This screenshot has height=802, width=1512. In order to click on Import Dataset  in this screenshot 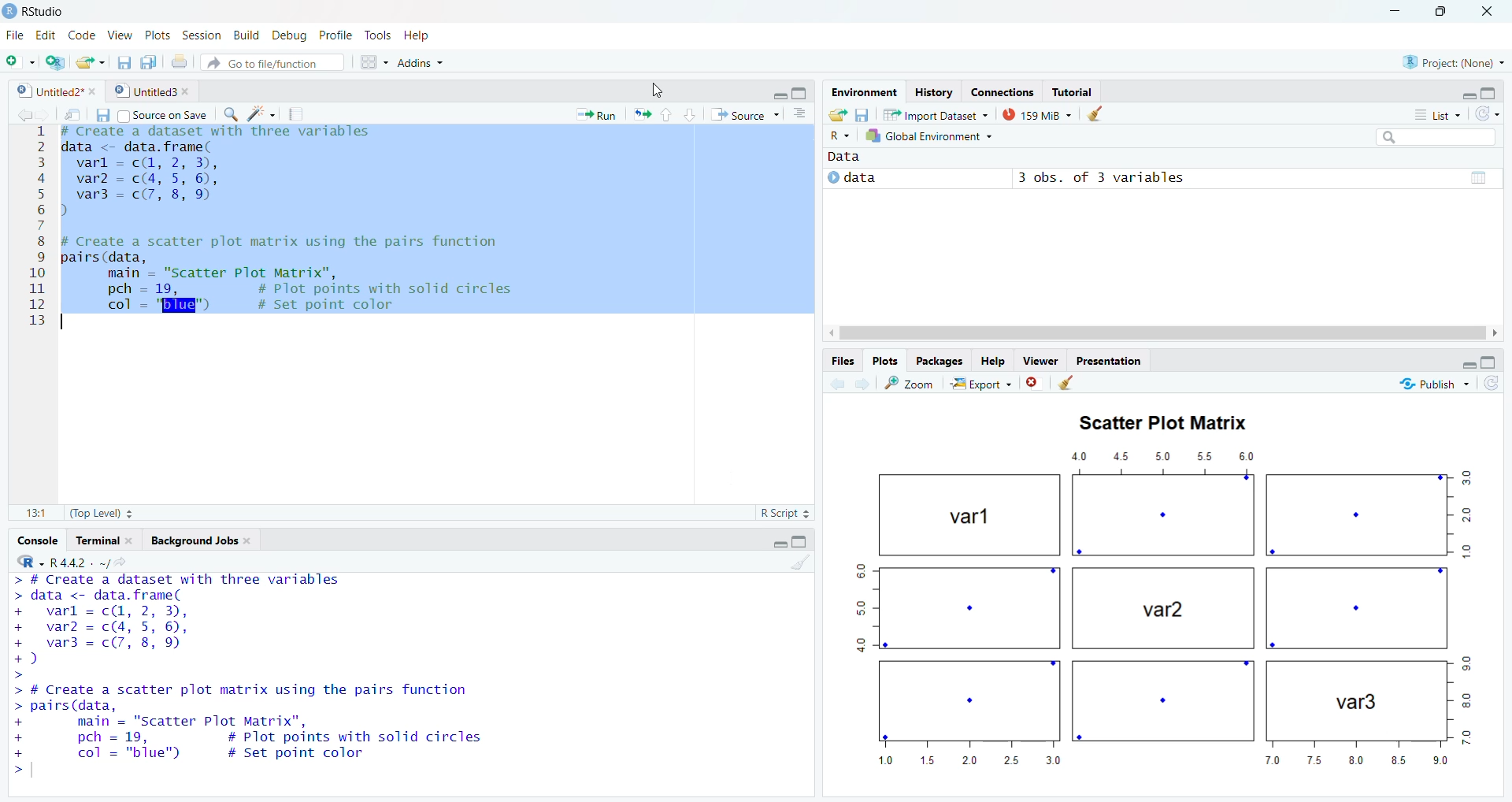, I will do `click(941, 113)`.